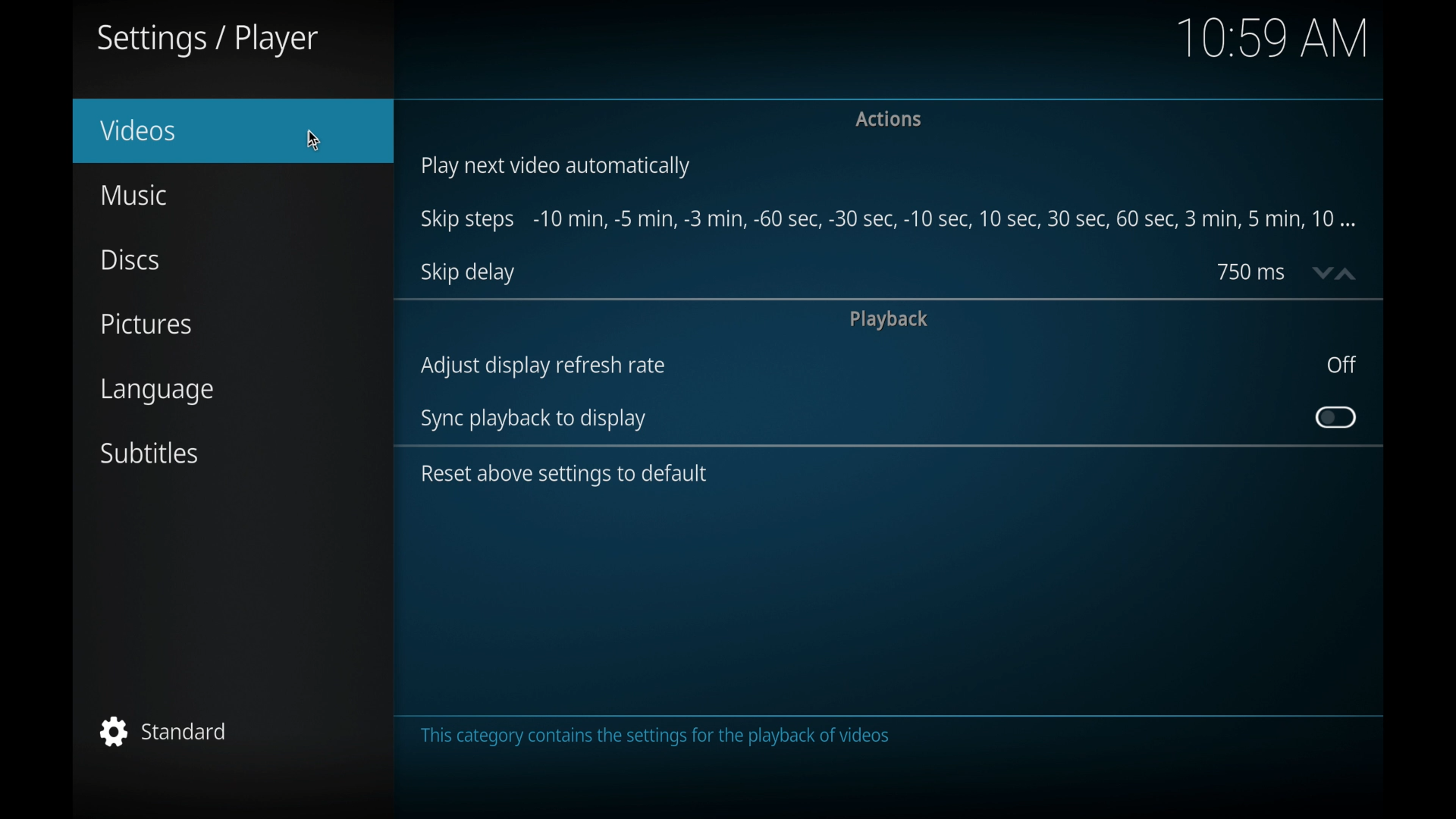  I want to click on play next video automatically, so click(557, 167).